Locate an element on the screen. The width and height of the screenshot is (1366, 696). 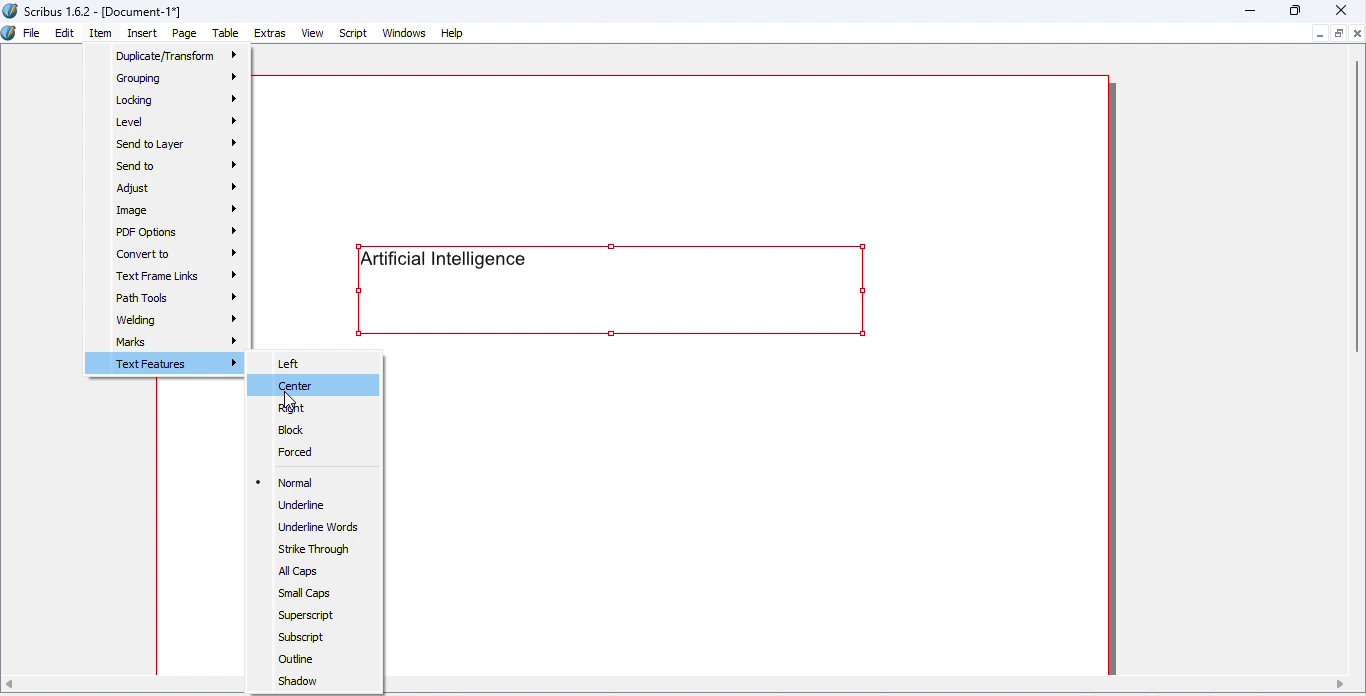
Grouping is located at coordinates (176, 78).